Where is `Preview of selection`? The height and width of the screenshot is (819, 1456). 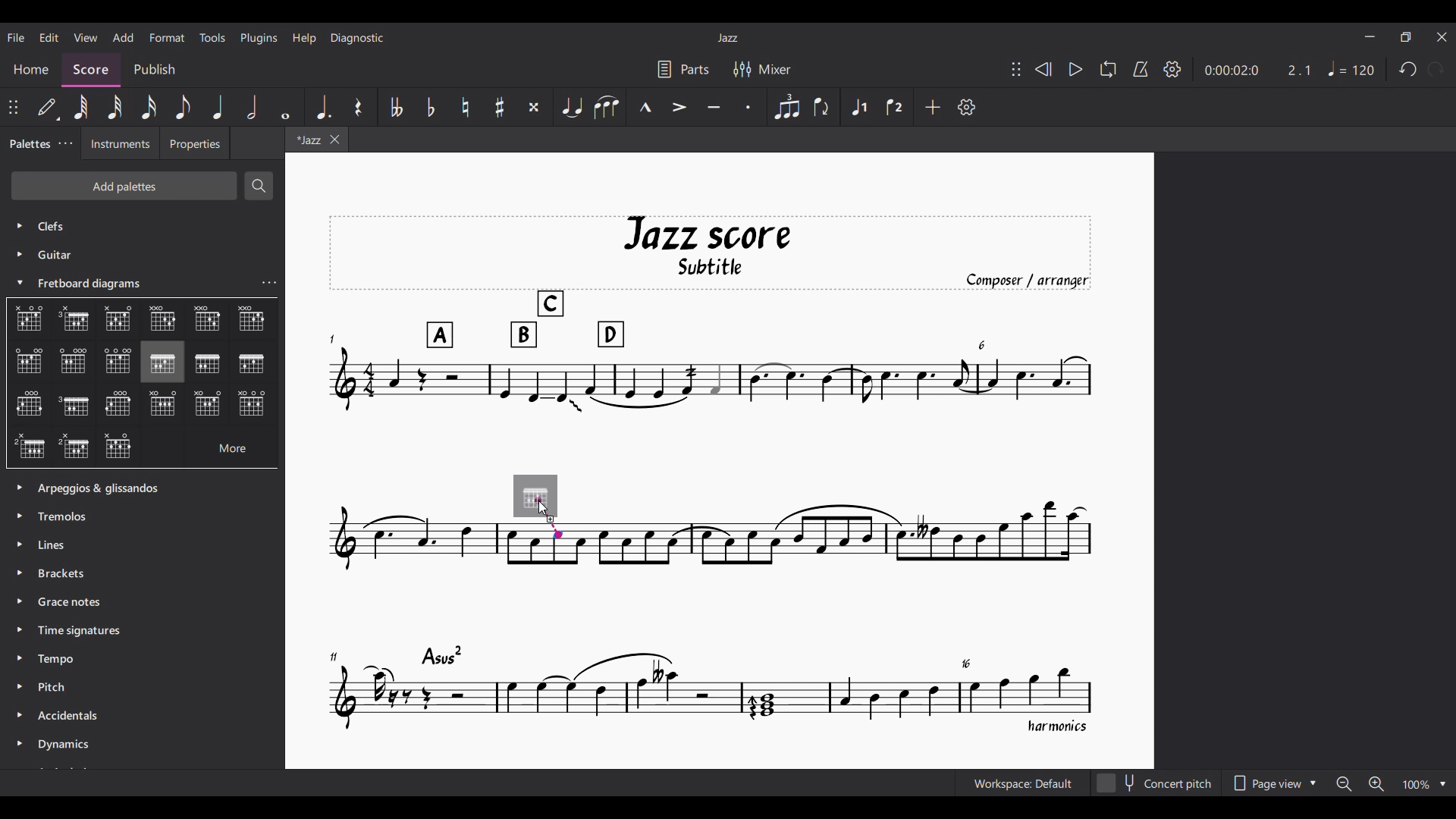
Preview of selection is located at coordinates (536, 497).